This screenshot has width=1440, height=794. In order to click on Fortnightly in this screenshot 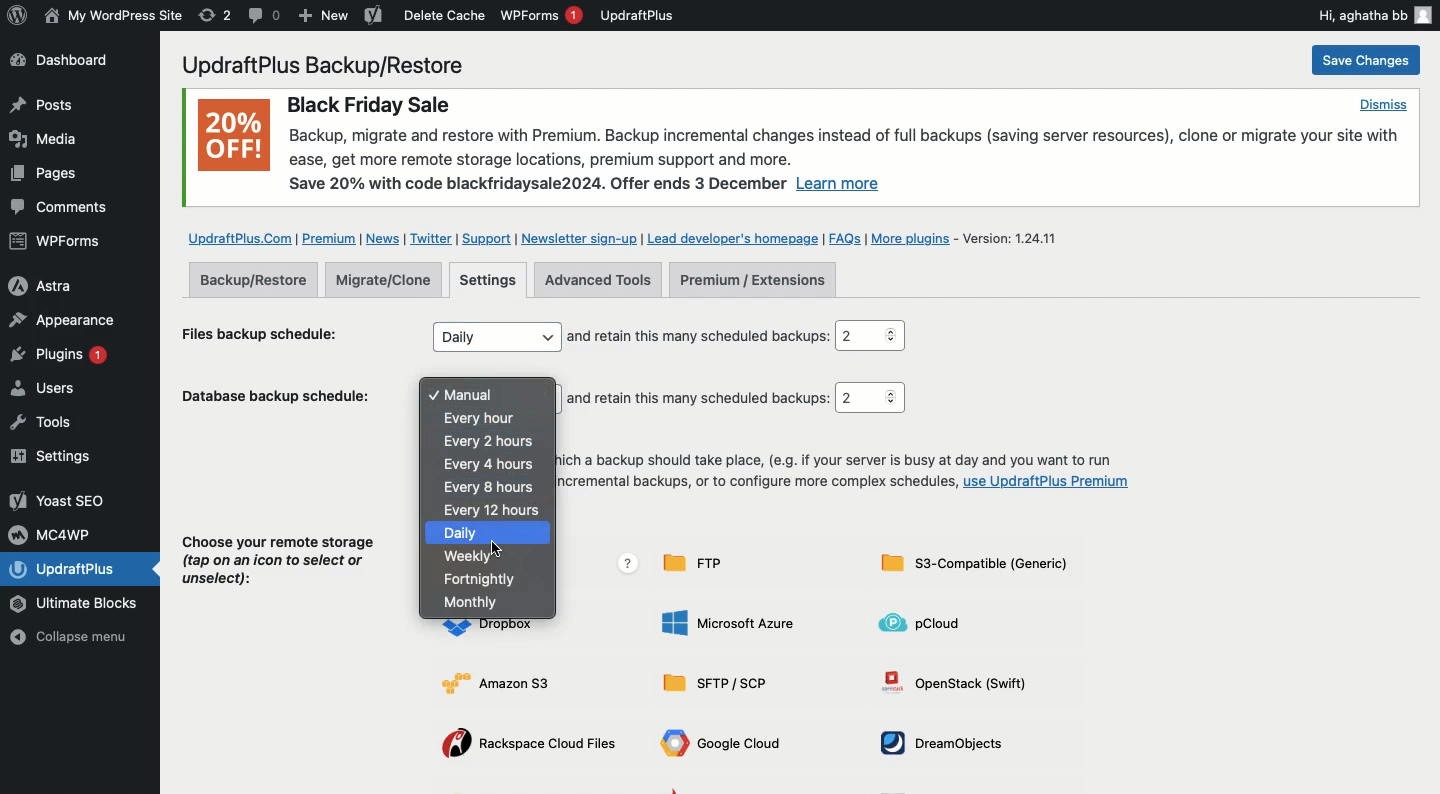, I will do `click(483, 581)`.